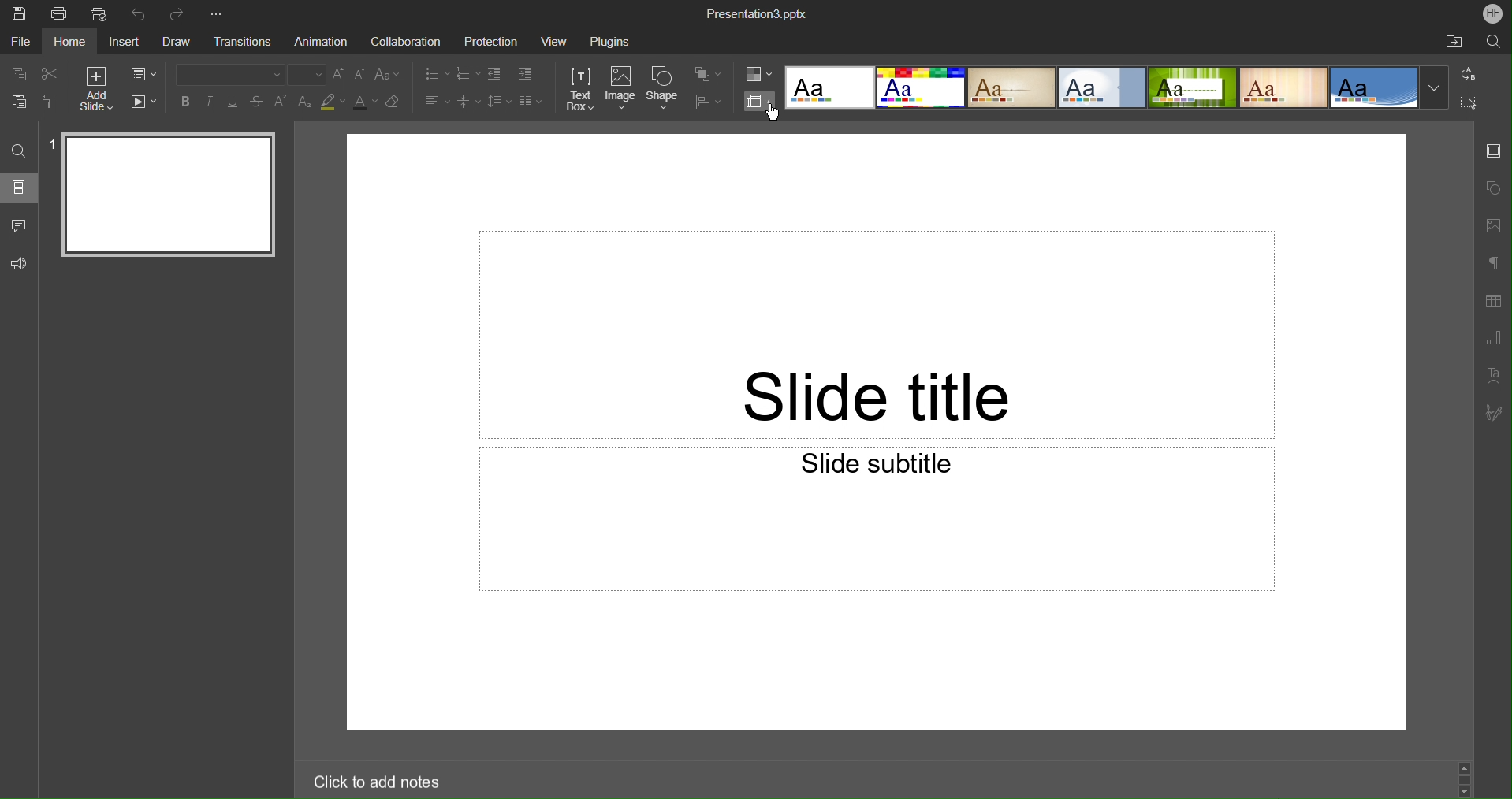 This screenshot has width=1512, height=799. I want to click on View, so click(552, 43).